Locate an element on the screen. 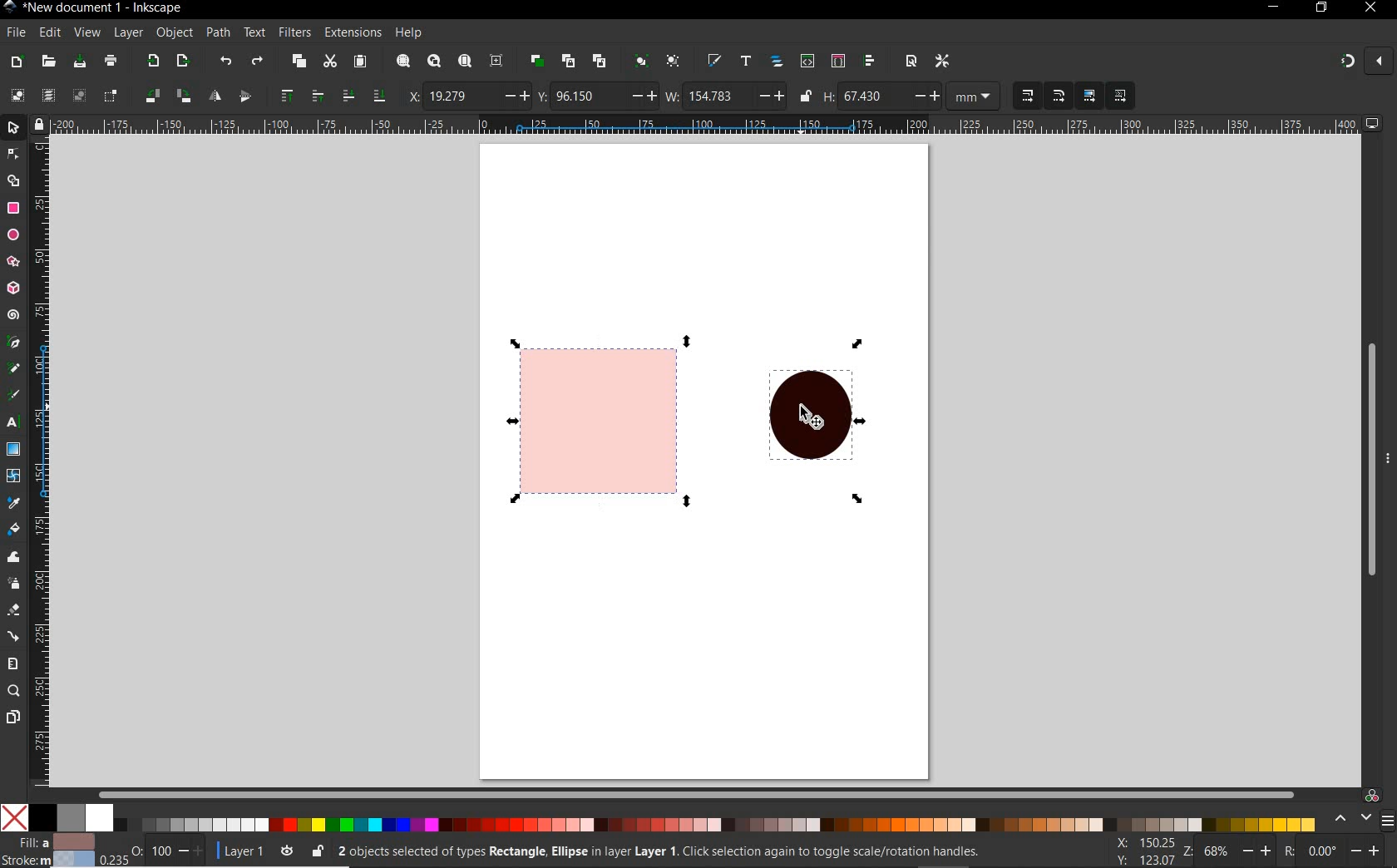  open export is located at coordinates (183, 61).